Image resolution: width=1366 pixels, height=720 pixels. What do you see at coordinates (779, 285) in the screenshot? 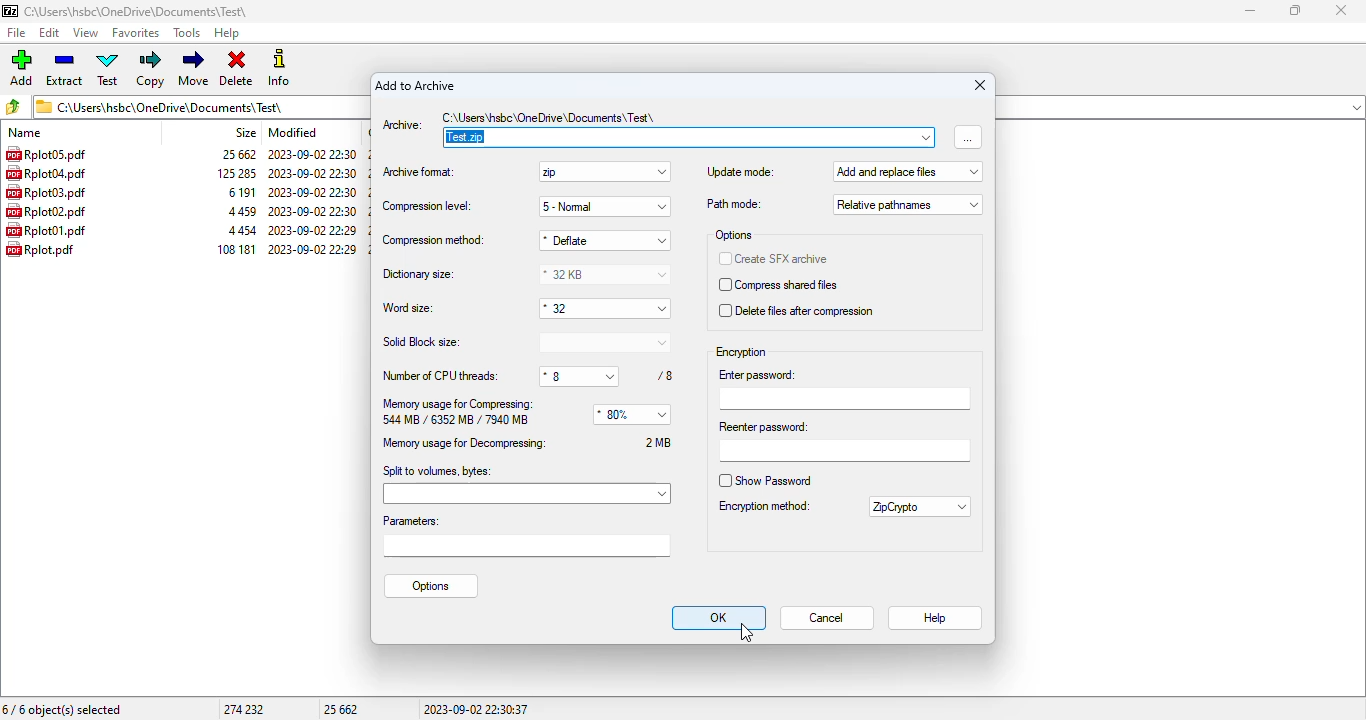
I see `compress shared files` at bounding box center [779, 285].